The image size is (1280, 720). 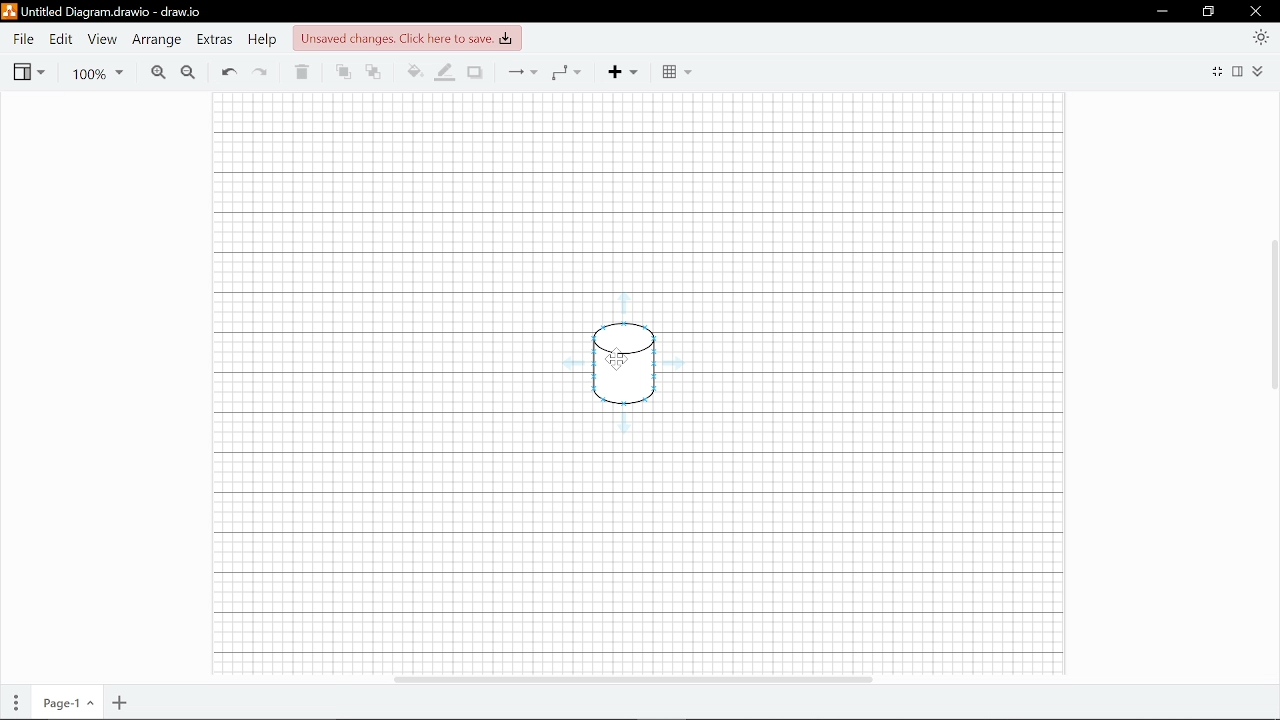 What do you see at coordinates (412, 72) in the screenshot?
I see `Fill color` at bounding box center [412, 72].